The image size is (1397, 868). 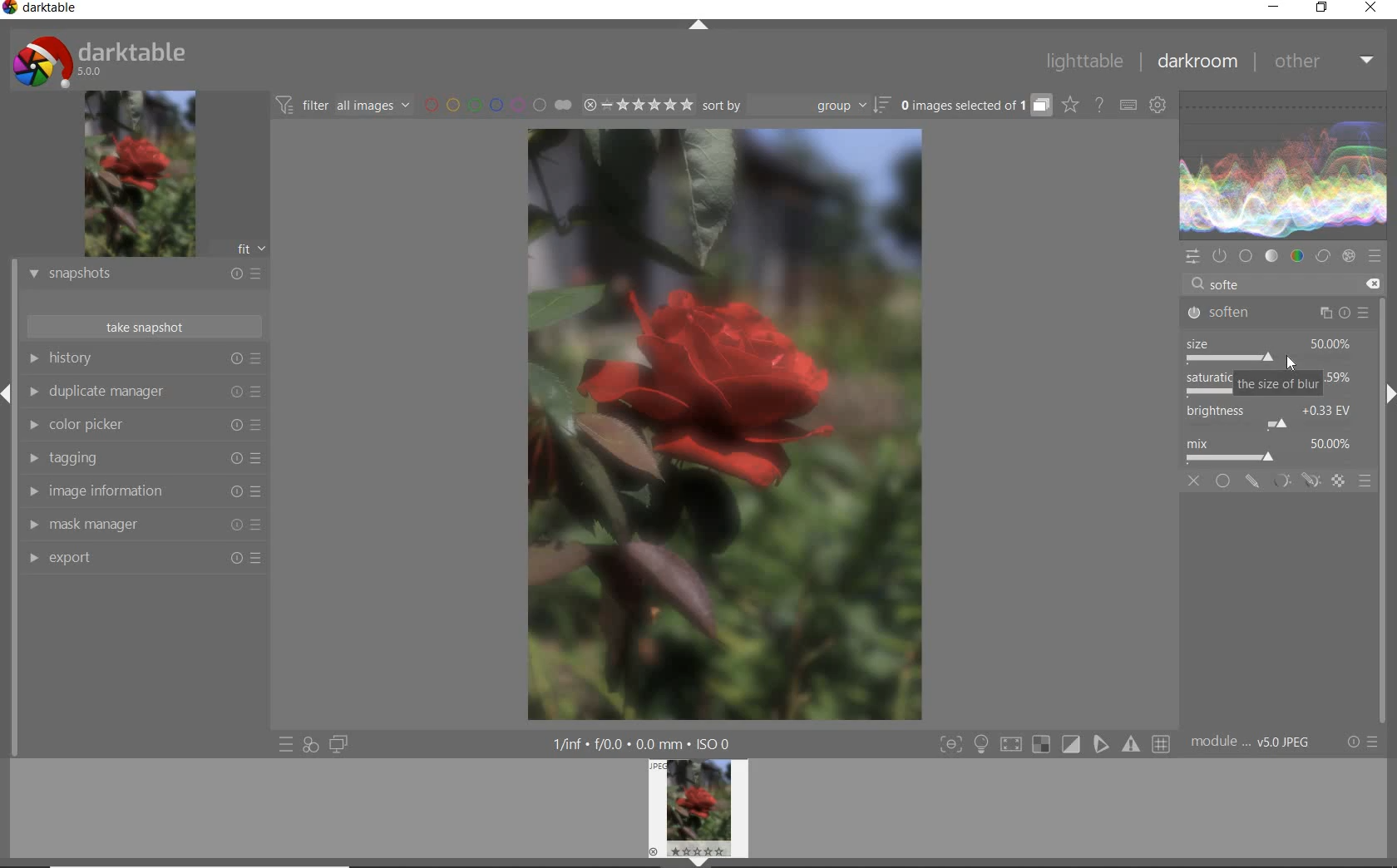 What do you see at coordinates (1128, 105) in the screenshot?
I see `set keyboard shortcuts` at bounding box center [1128, 105].